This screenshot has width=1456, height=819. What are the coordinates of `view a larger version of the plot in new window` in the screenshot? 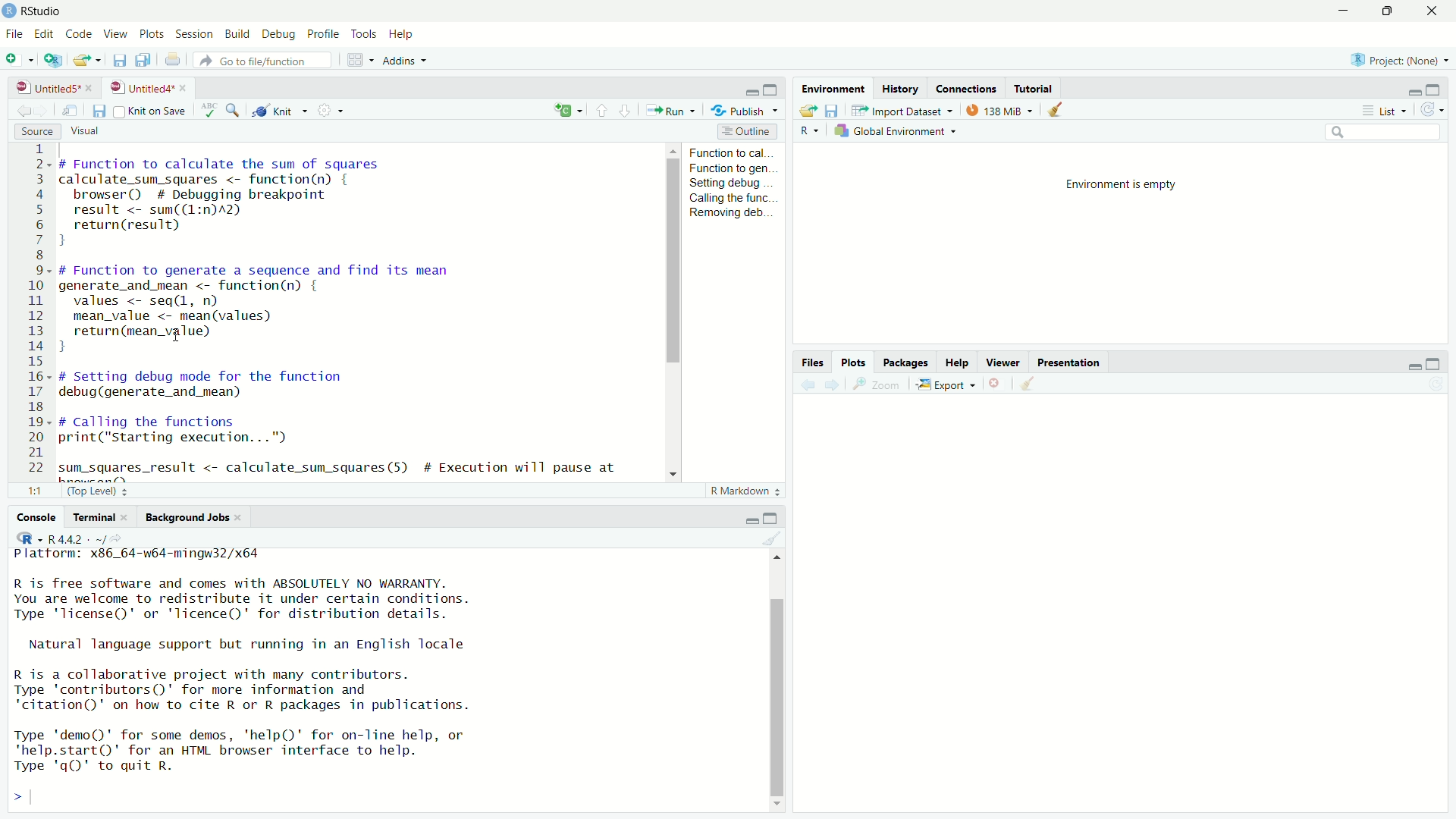 It's located at (881, 384).